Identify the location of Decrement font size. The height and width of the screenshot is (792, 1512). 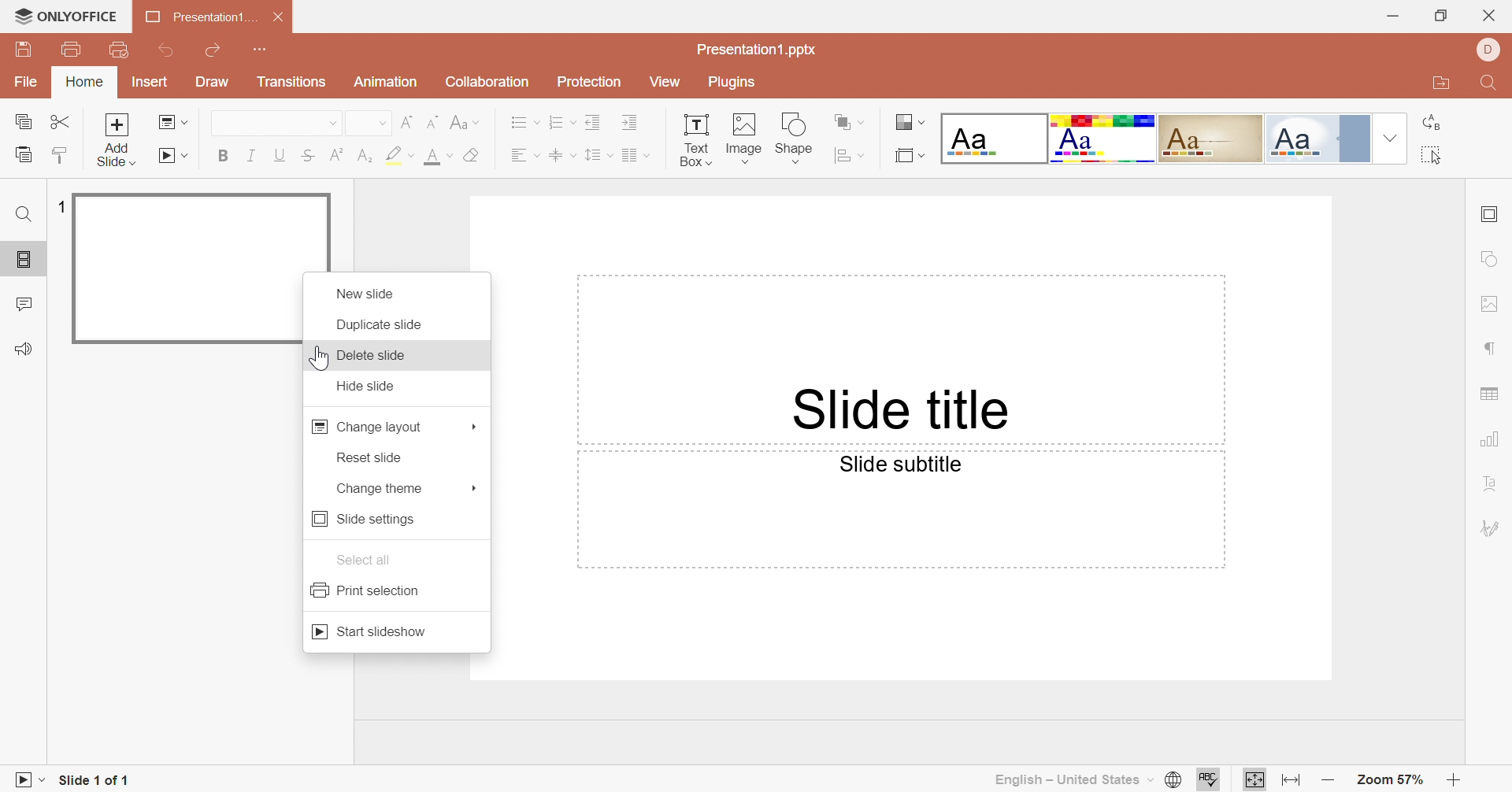
(432, 120).